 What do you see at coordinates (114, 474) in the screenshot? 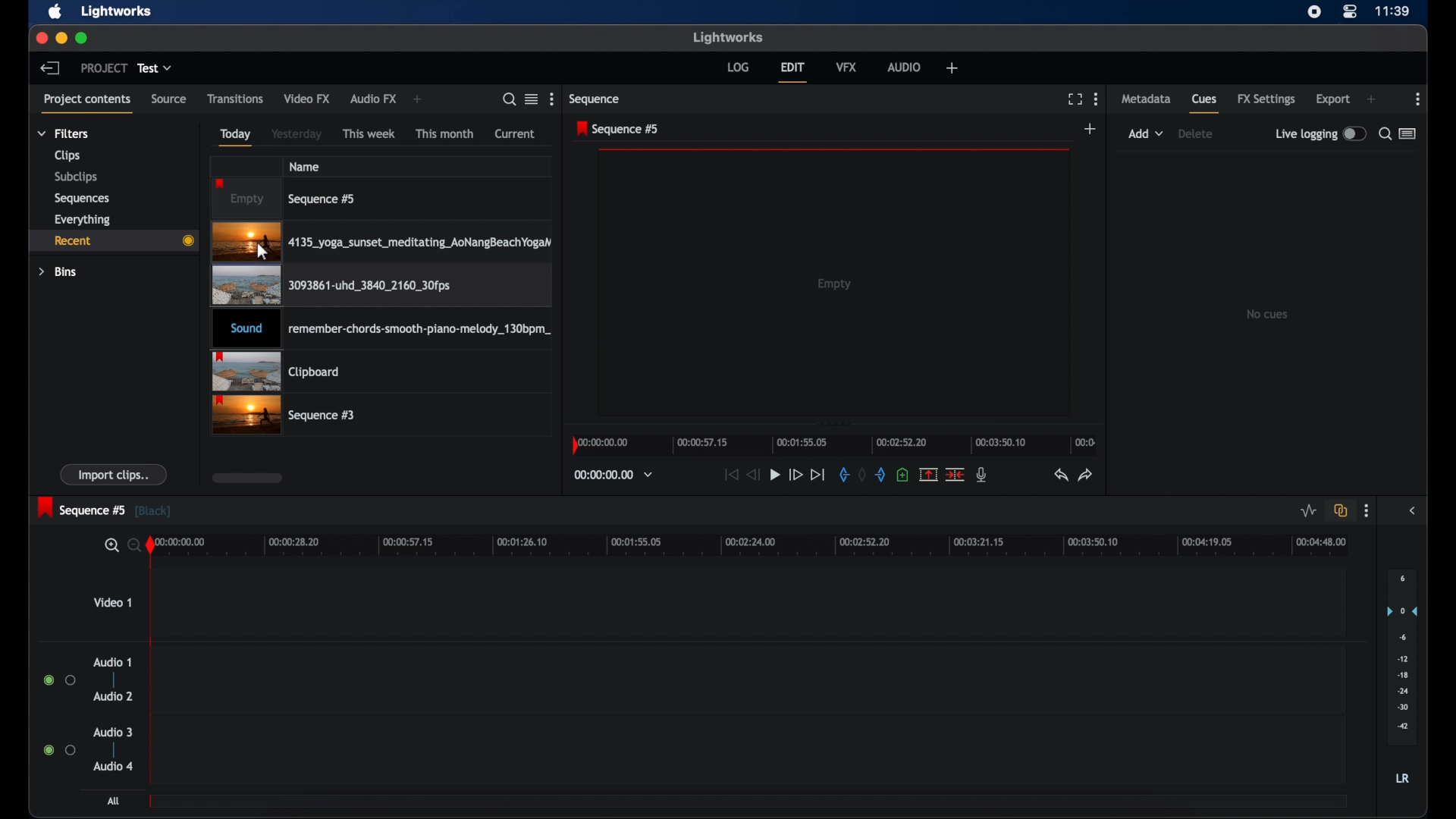
I see `import clips` at bounding box center [114, 474].